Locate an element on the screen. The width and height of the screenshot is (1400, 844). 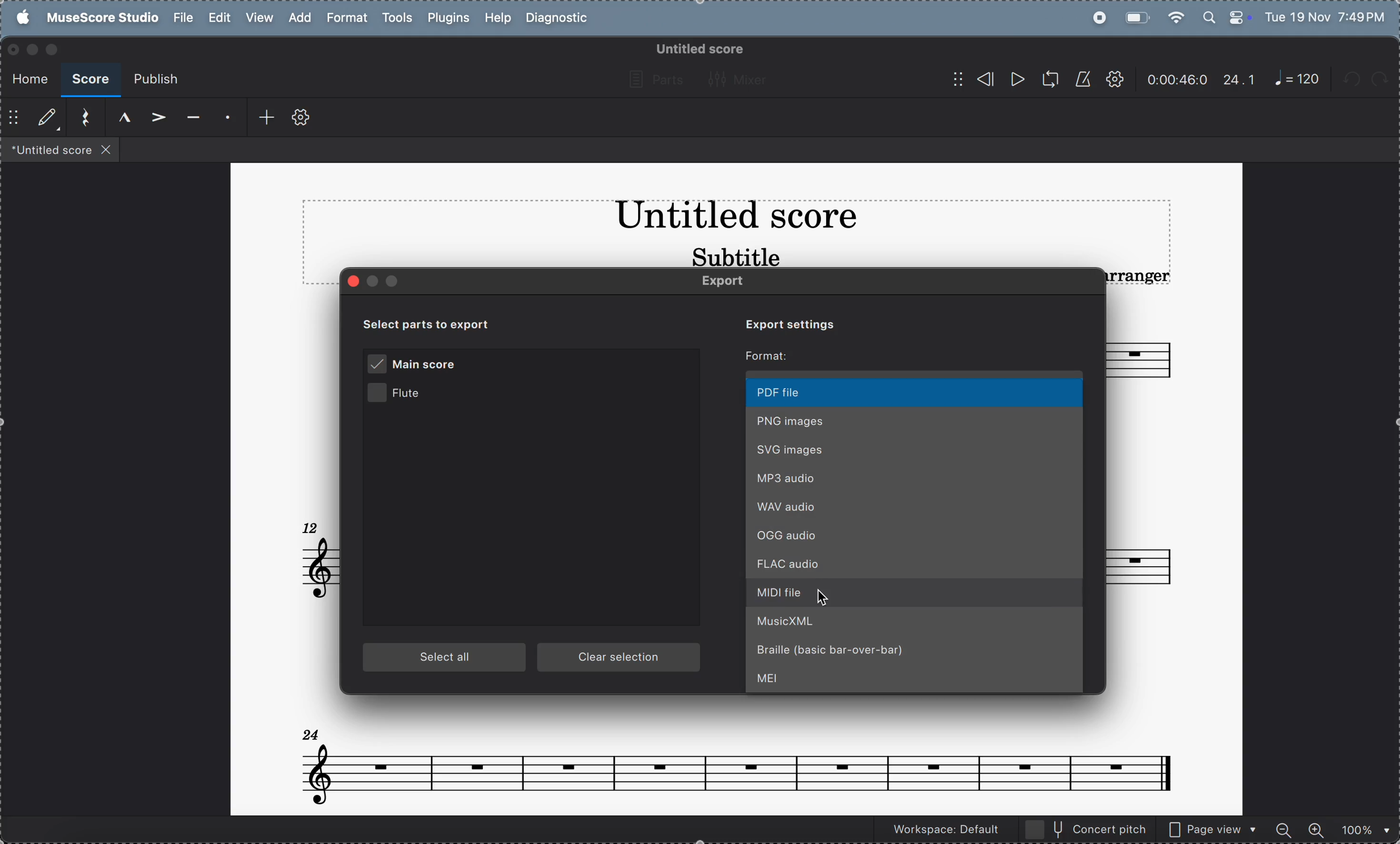
MEI is located at coordinates (915, 681).